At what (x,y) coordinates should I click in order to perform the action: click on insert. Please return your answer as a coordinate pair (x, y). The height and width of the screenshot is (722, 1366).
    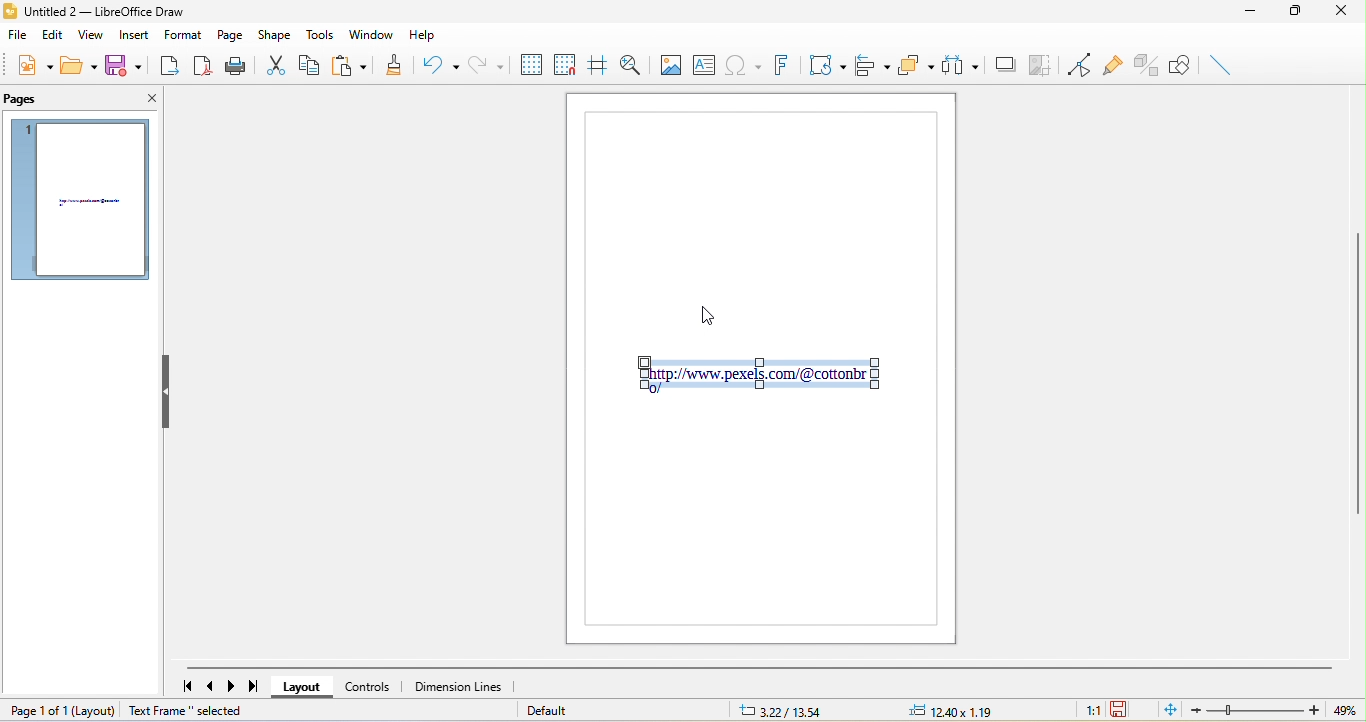
    Looking at the image, I should click on (132, 34).